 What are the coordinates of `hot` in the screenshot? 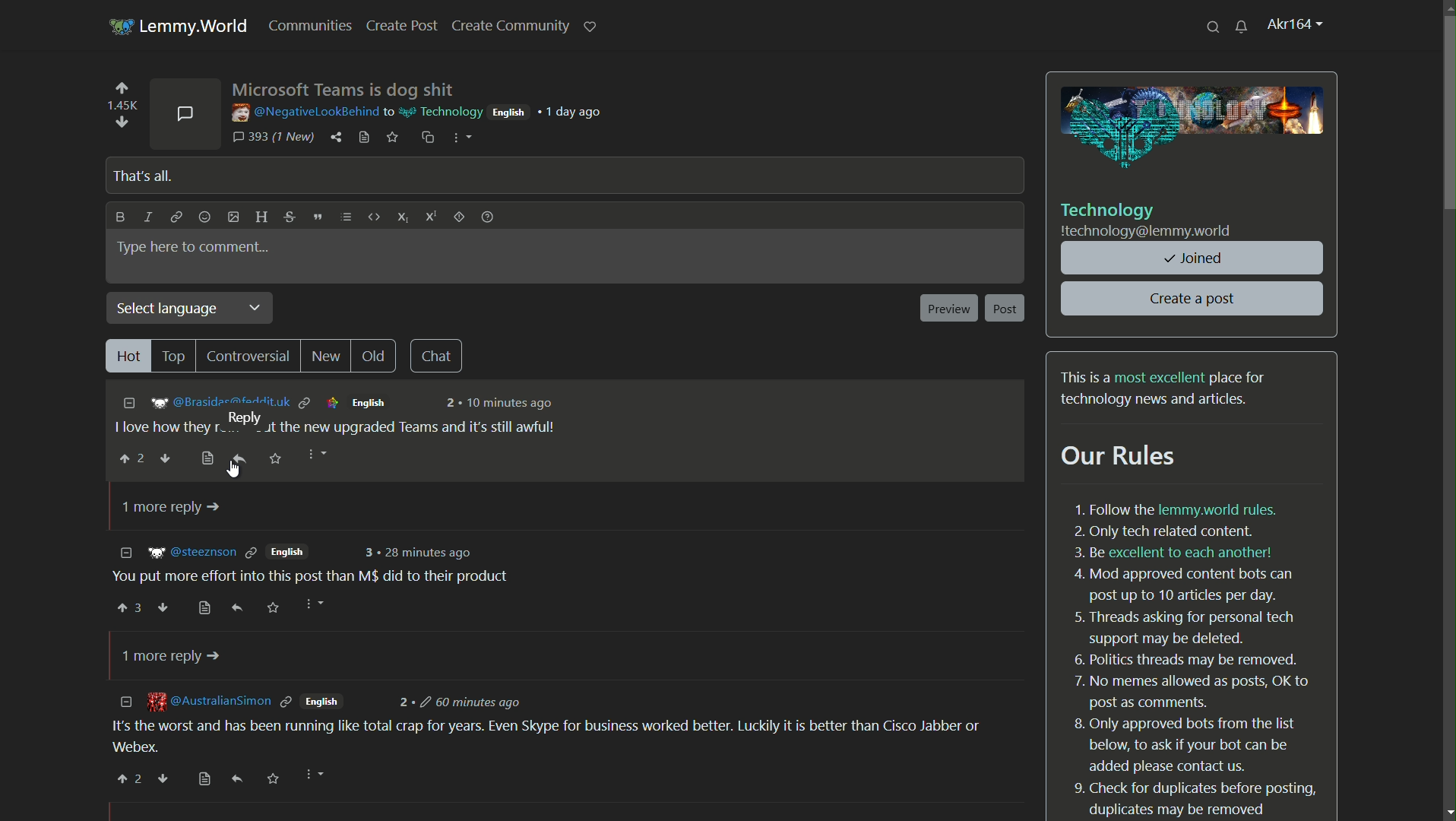 It's located at (127, 356).